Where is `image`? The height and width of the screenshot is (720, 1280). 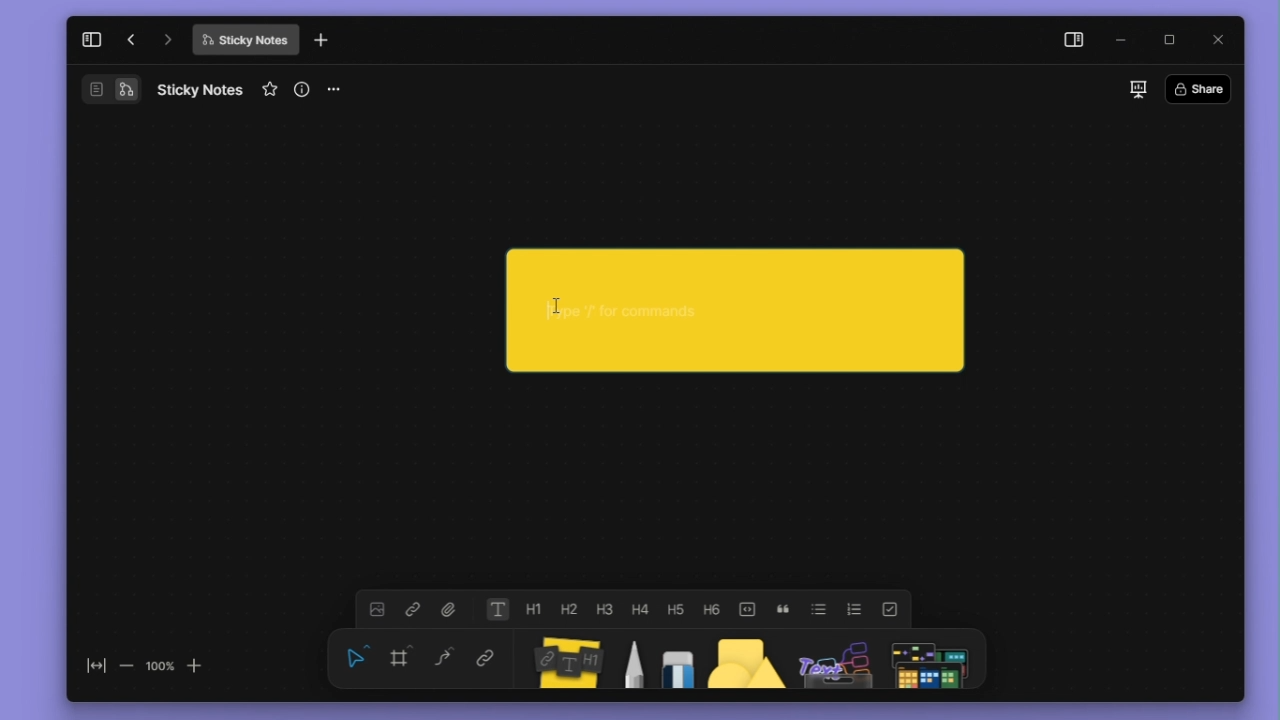 image is located at coordinates (379, 610).